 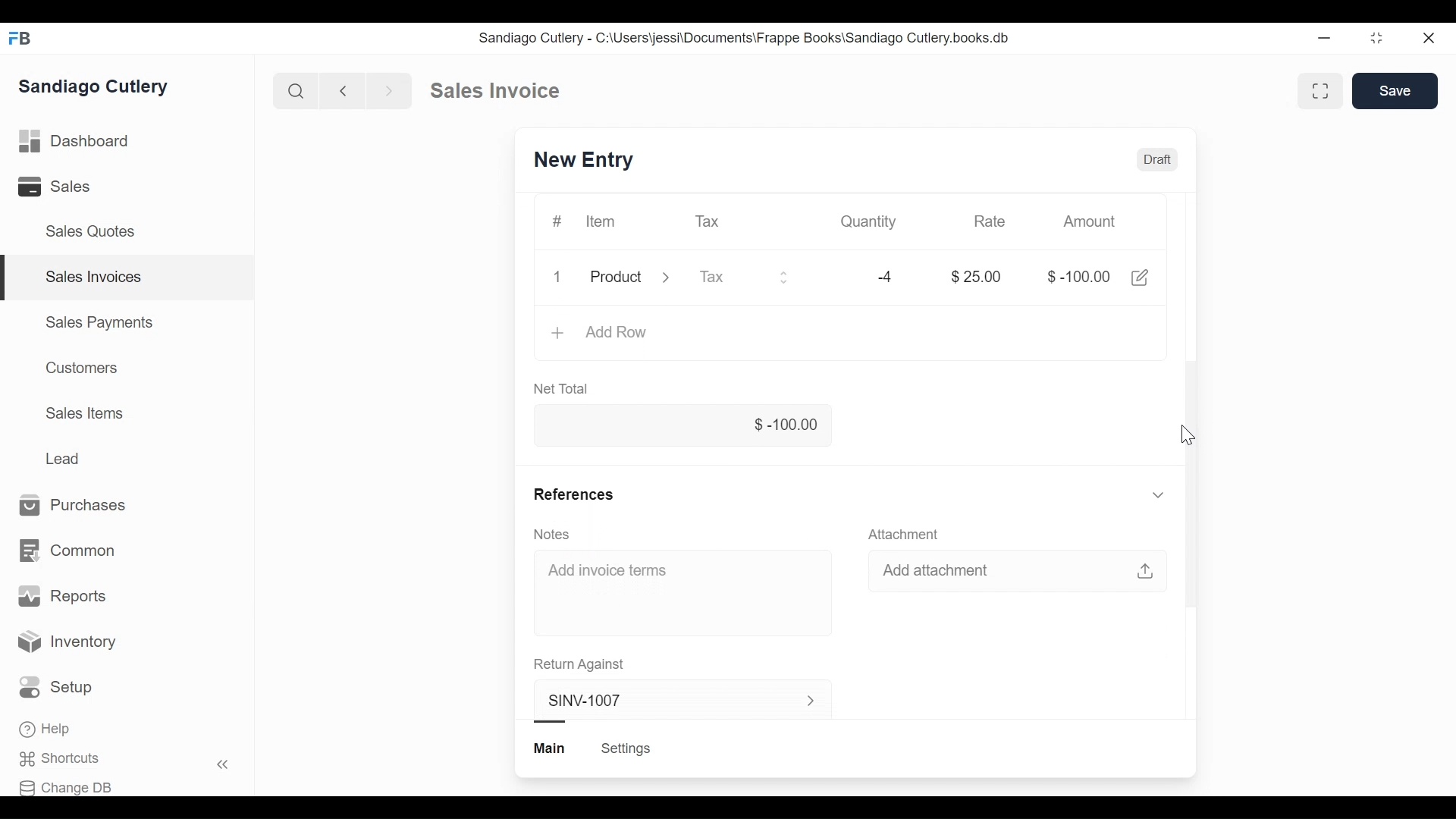 What do you see at coordinates (296, 89) in the screenshot?
I see `Search` at bounding box center [296, 89].